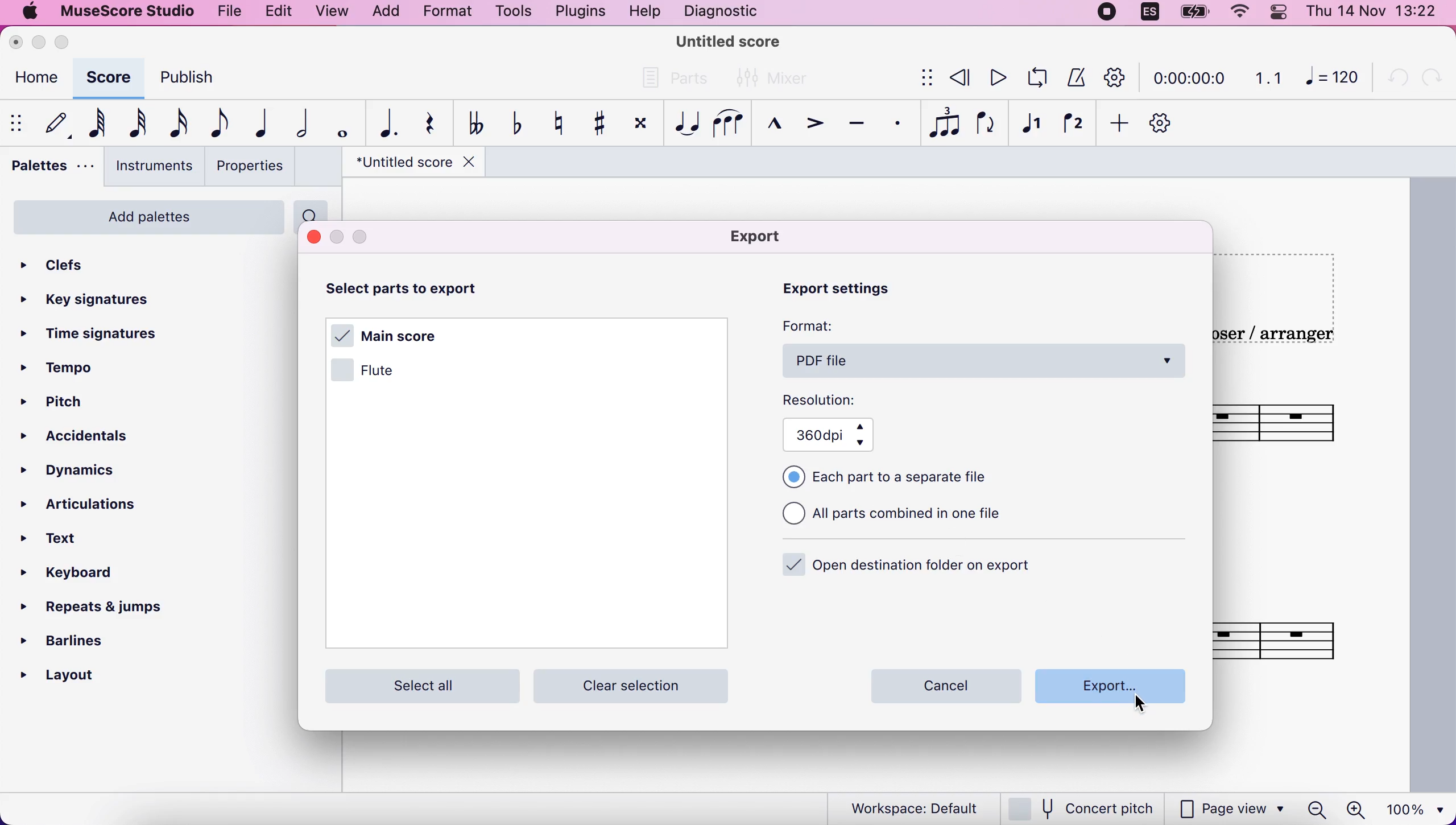 The image size is (1456, 825). I want to click on tools, so click(508, 14).